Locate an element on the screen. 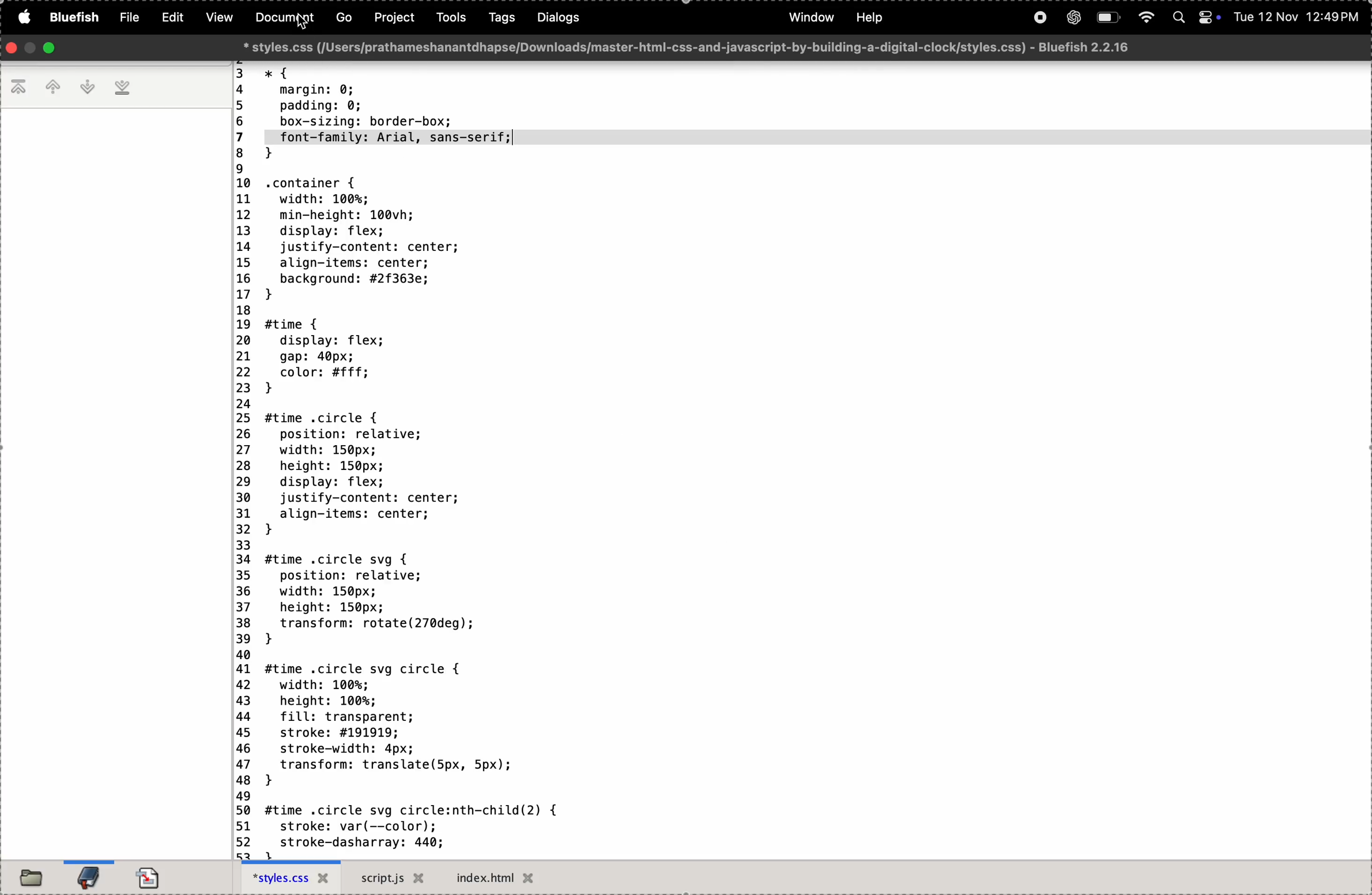  Bluefish is located at coordinates (72, 18).